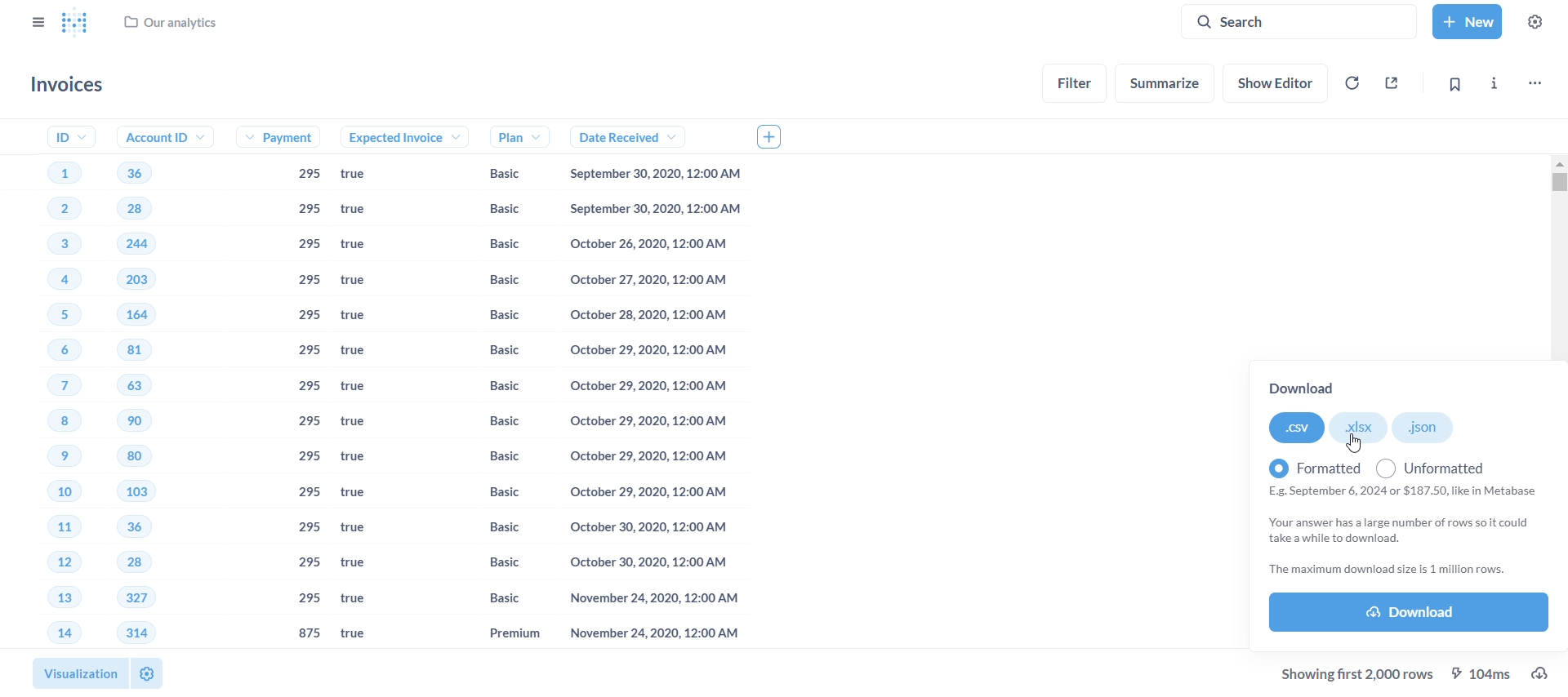 This screenshot has width=1568, height=697. I want to click on Basic, so click(494, 566).